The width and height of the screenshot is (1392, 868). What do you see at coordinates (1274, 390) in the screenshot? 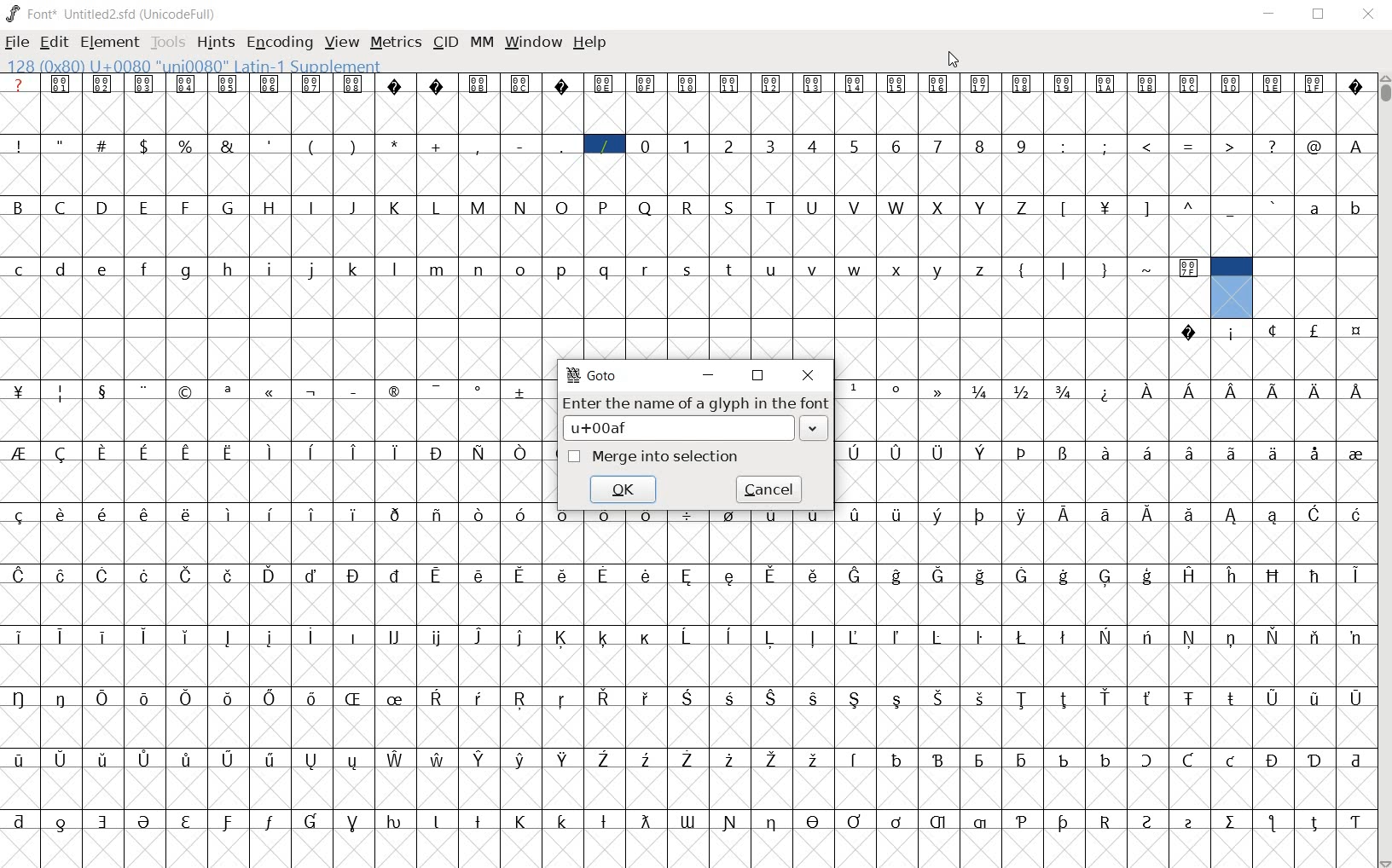
I see `Symbol` at bounding box center [1274, 390].